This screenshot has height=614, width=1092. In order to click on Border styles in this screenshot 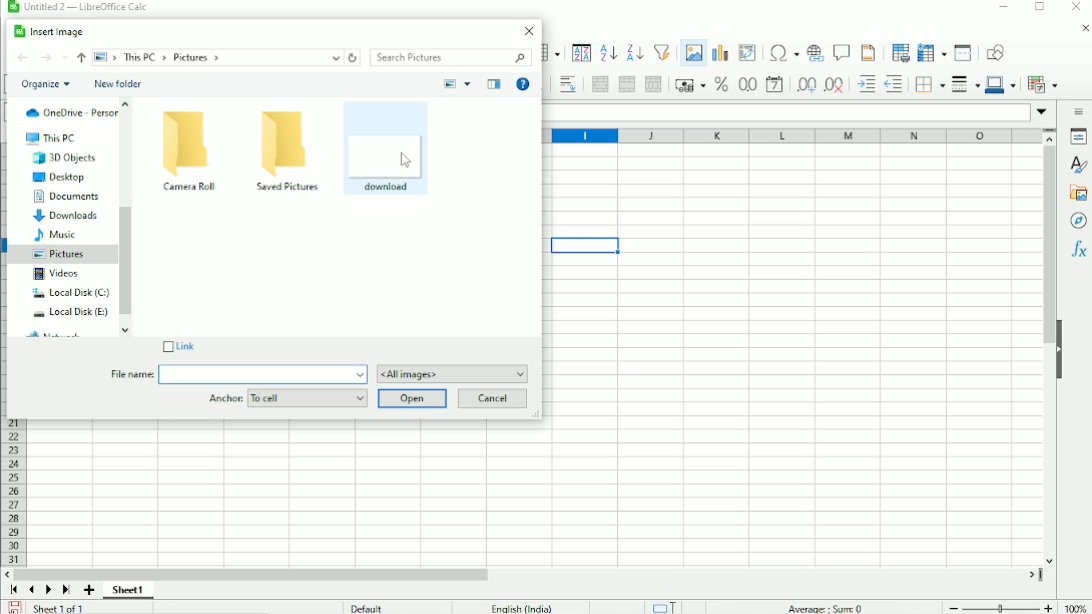, I will do `click(965, 86)`.